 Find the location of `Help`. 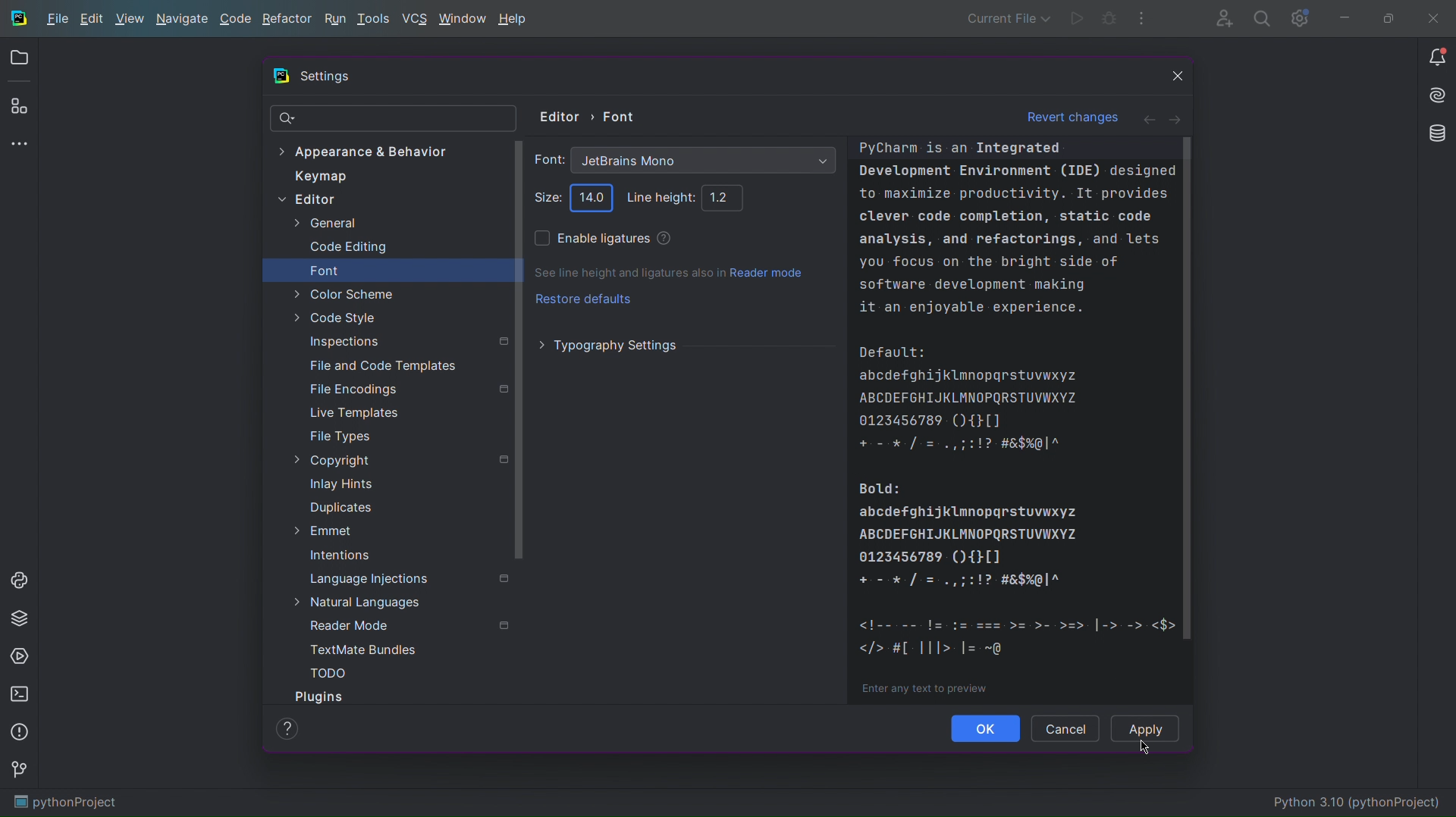

Help is located at coordinates (662, 237).